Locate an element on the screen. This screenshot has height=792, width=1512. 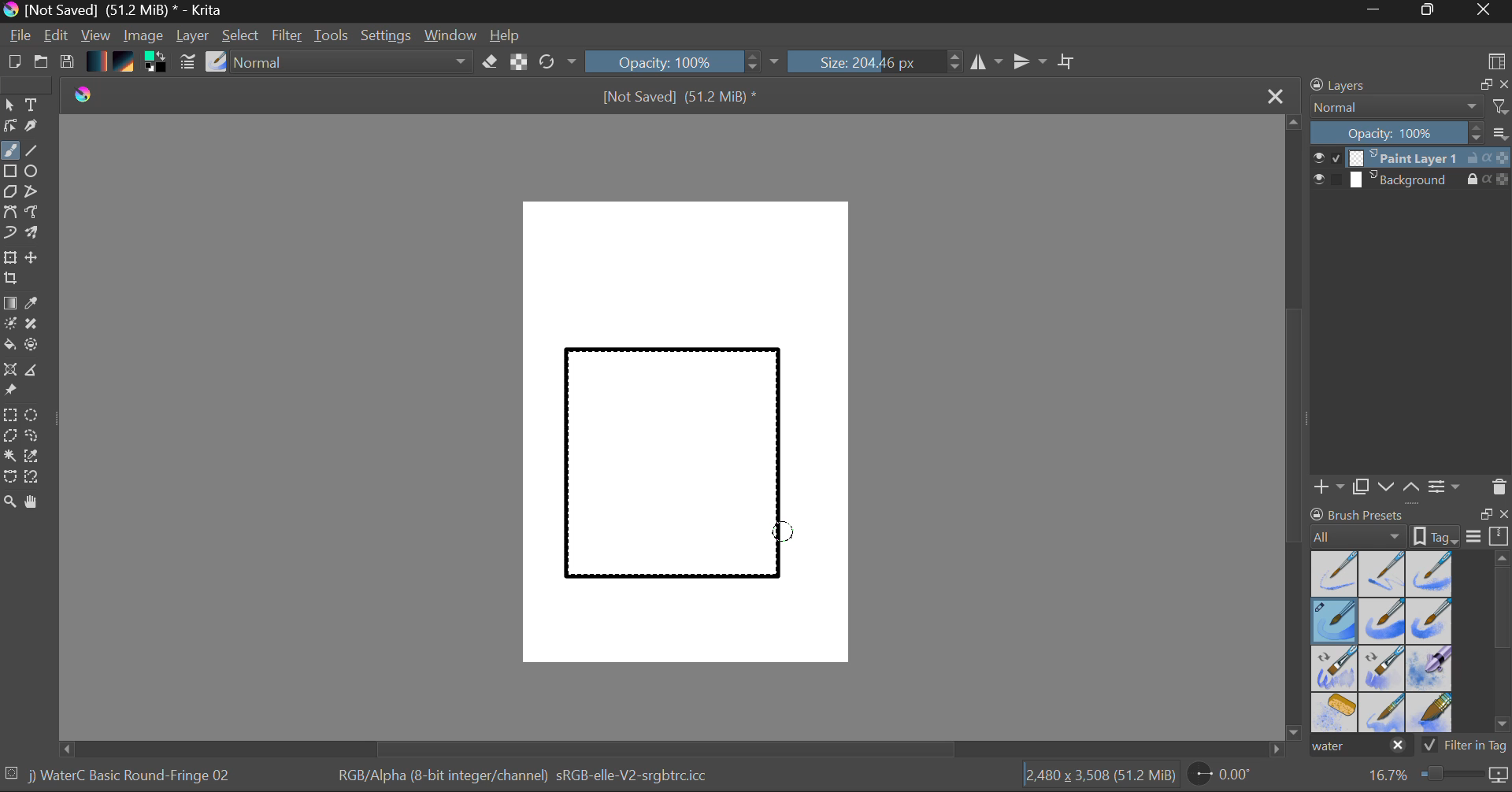
Freehand Path Tool is located at coordinates (31, 213).